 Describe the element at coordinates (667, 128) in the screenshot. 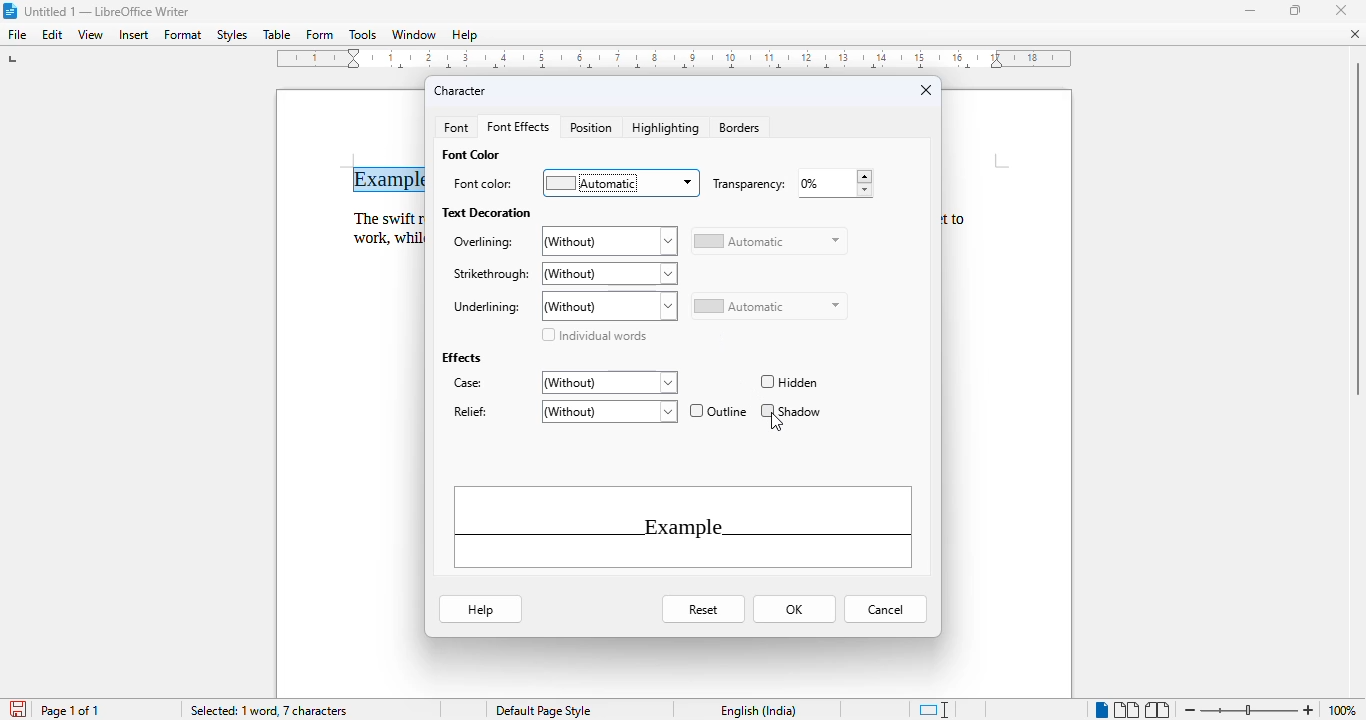

I see `highlighting` at that location.